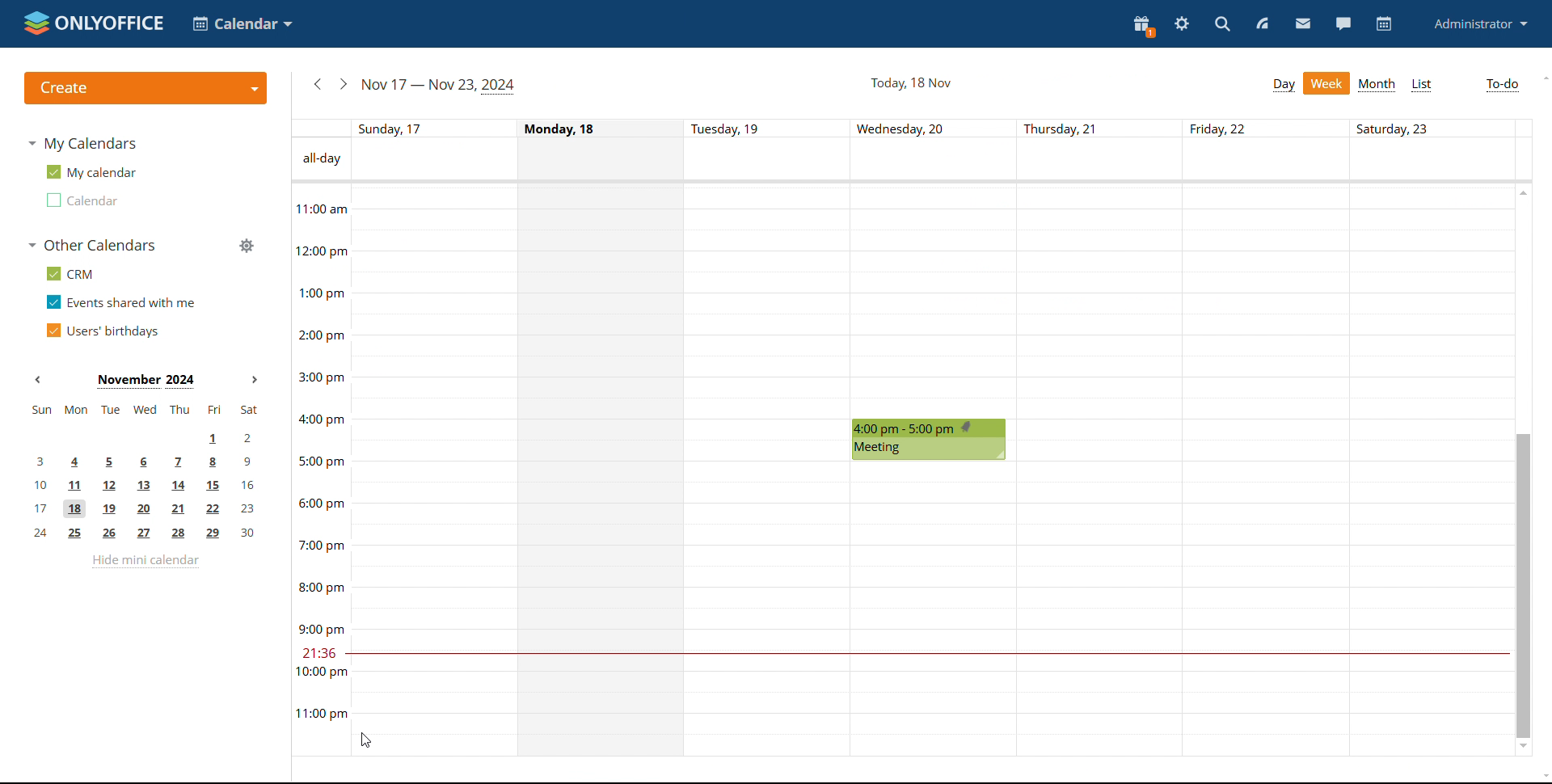  I want to click on friday, so click(1267, 470).